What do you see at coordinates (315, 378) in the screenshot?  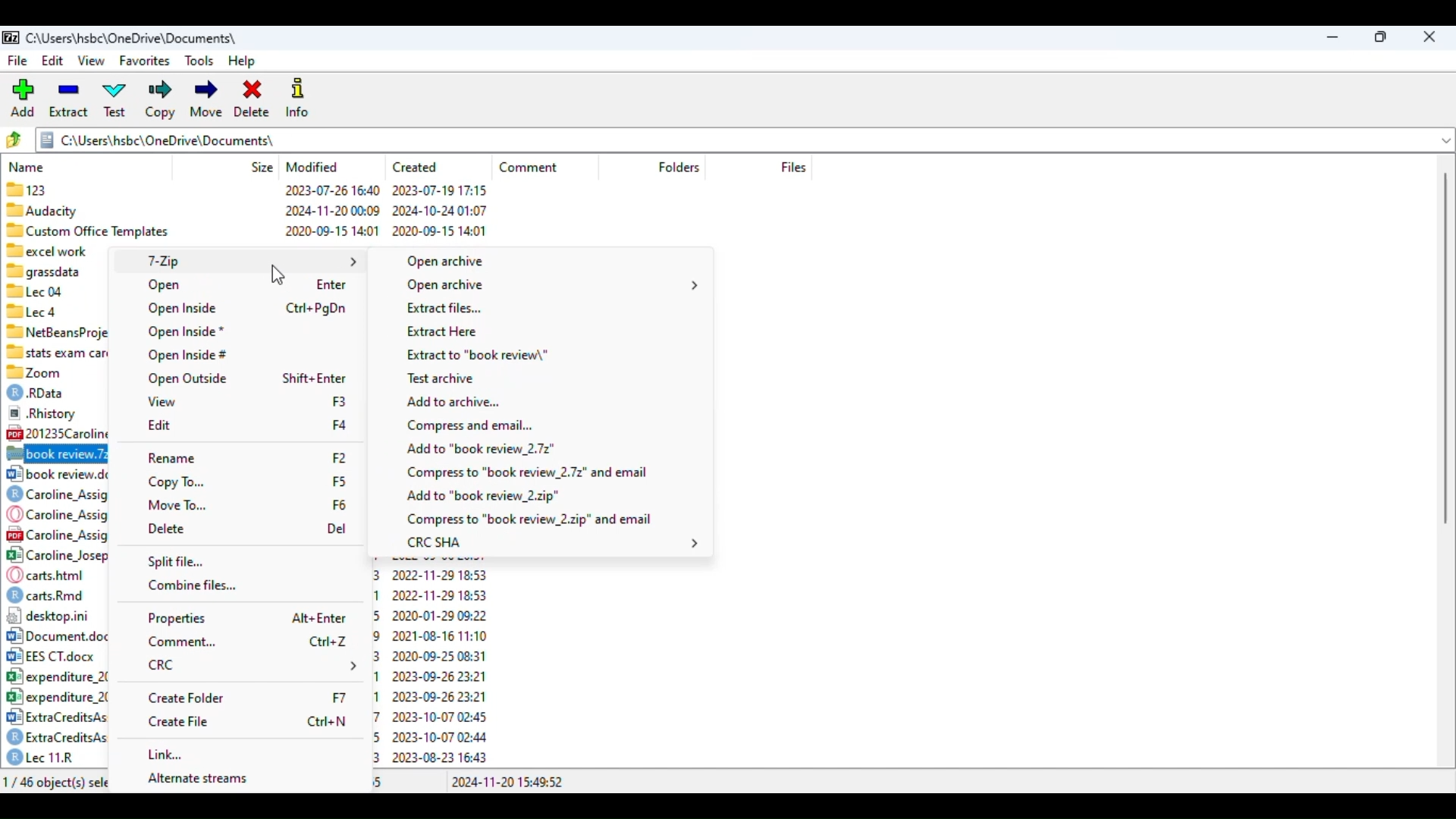 I see `shortcut for open outside` at bounding box center [315, 378].